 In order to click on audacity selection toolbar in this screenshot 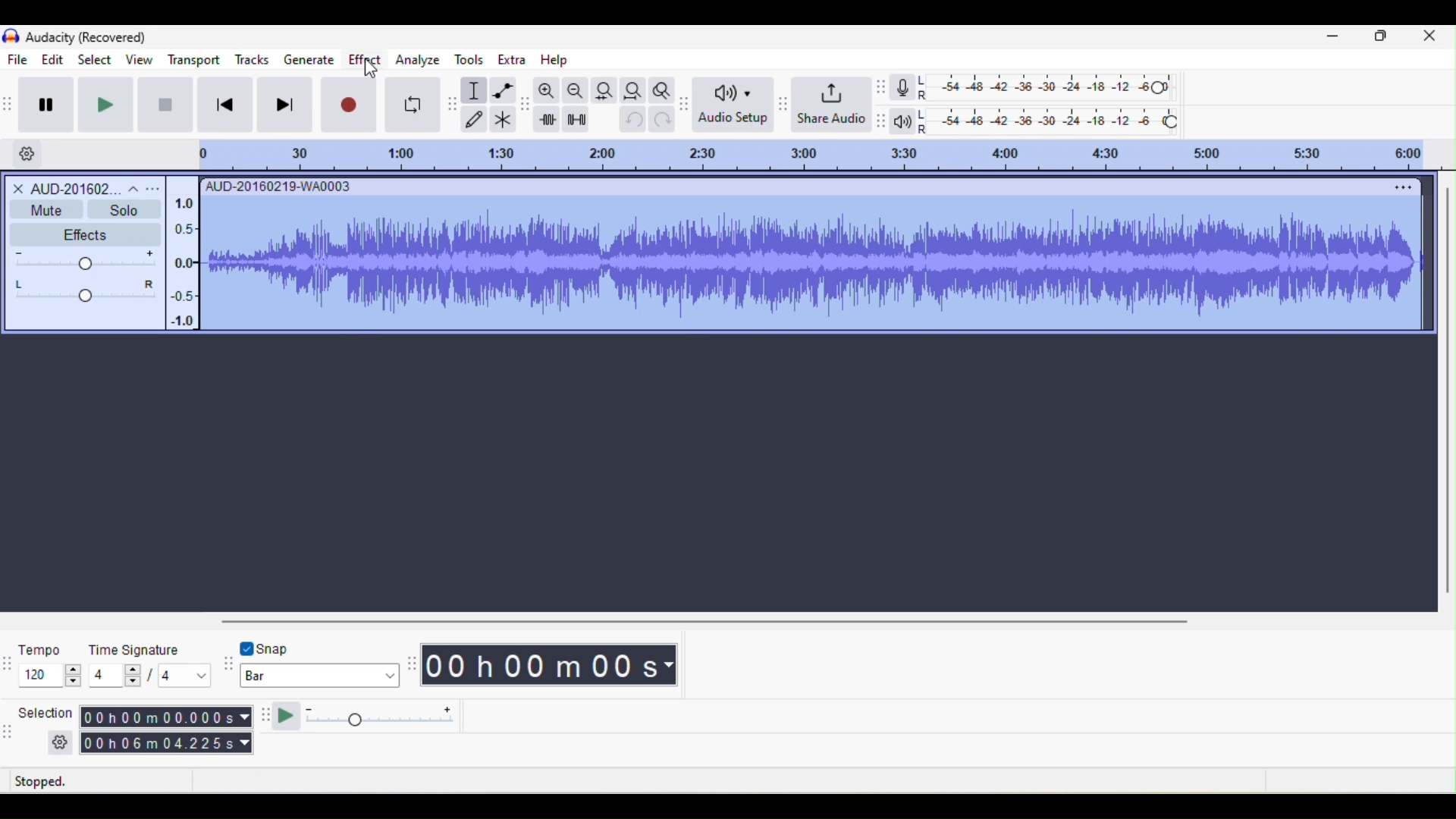, I will do `click(9, 730)`.